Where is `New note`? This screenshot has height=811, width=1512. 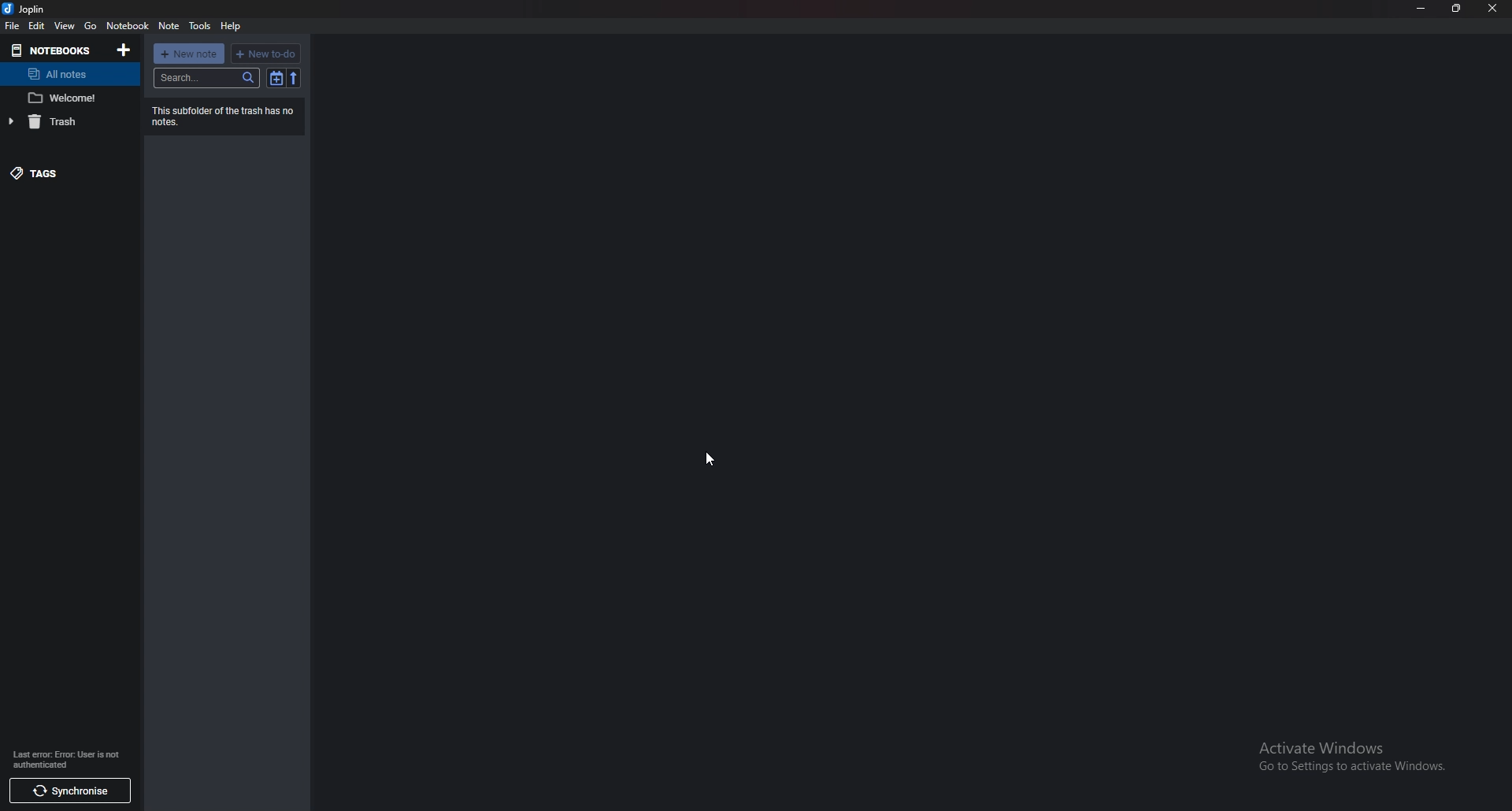 New note is located at coordinates (188, 54).